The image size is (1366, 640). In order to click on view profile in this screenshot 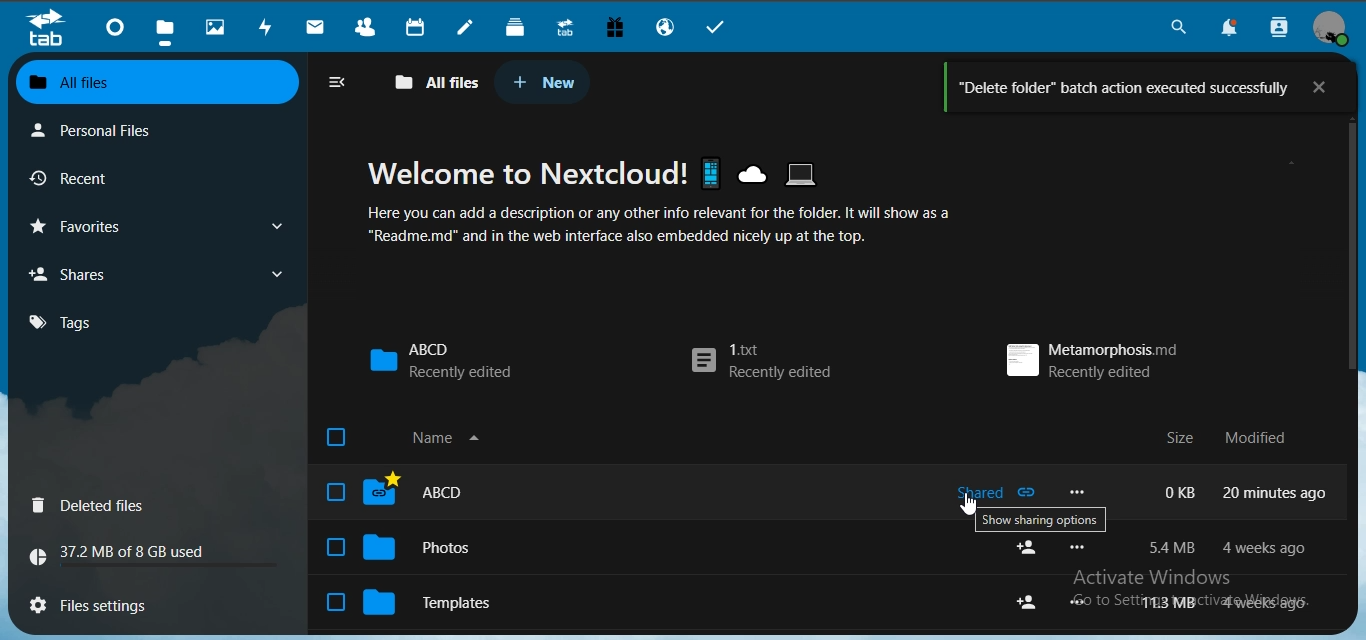, I will do `click(1334, 27)`.